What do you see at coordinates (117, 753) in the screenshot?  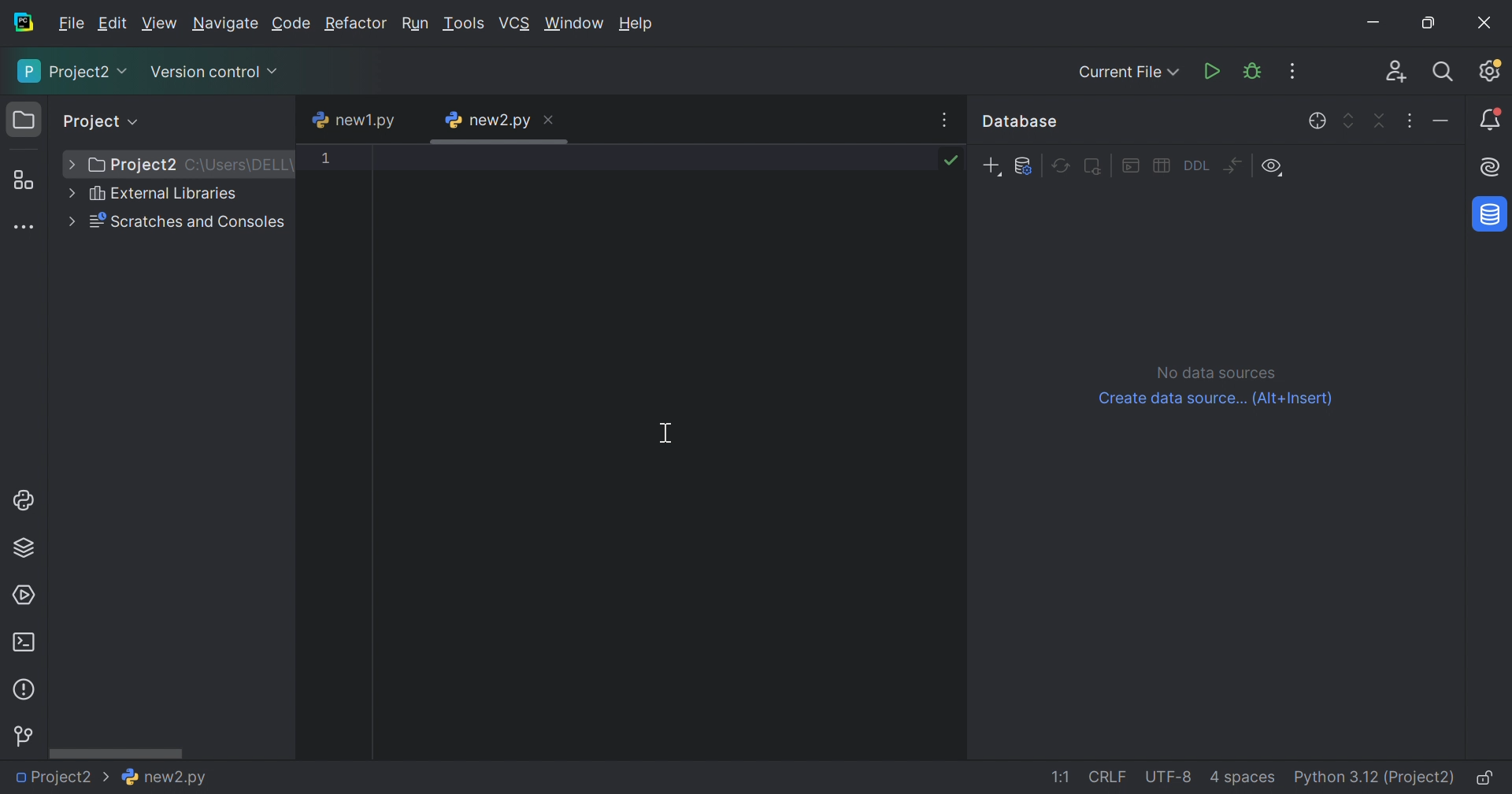 I see `Scroll bar` at bounding box center [117, 753].